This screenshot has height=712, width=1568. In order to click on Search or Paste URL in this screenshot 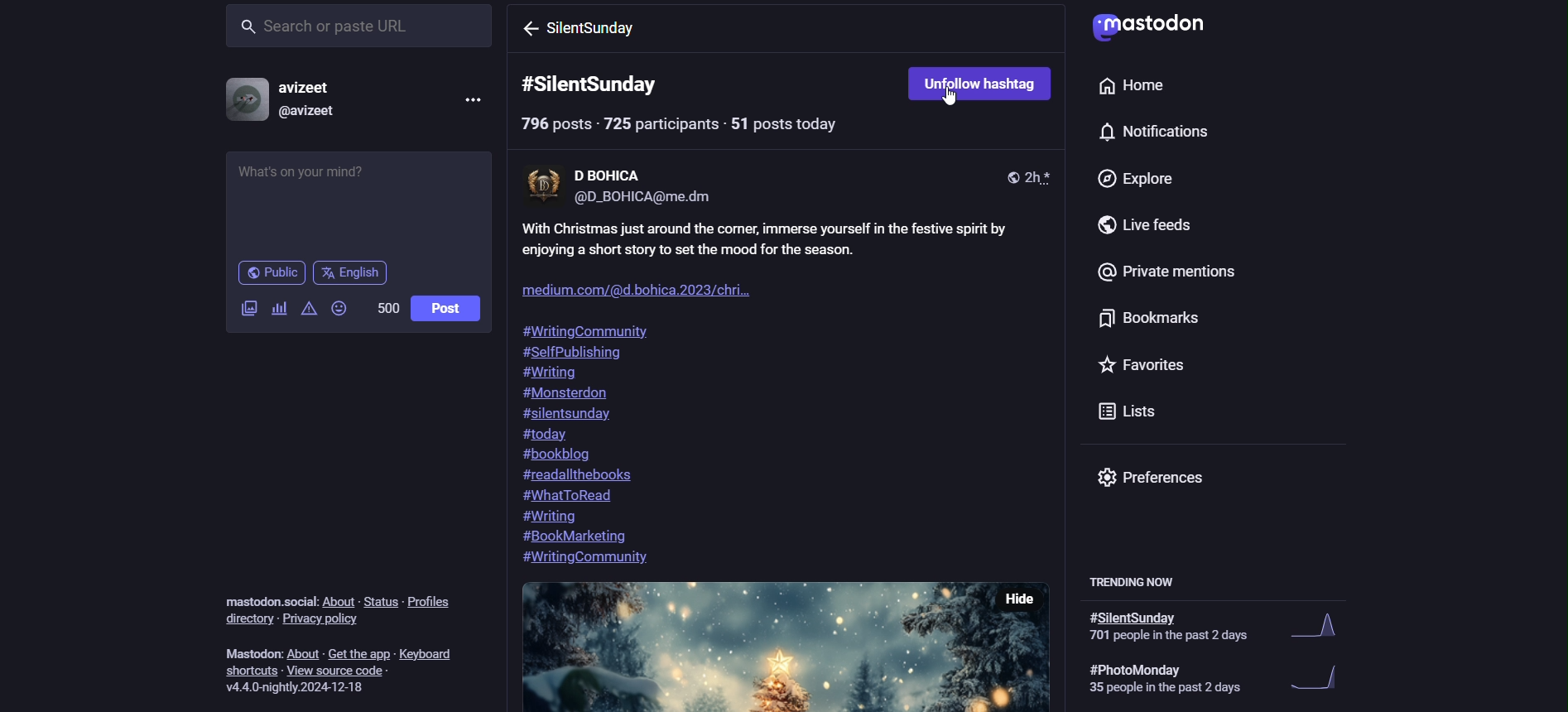, I will do `click(358, 26)`.